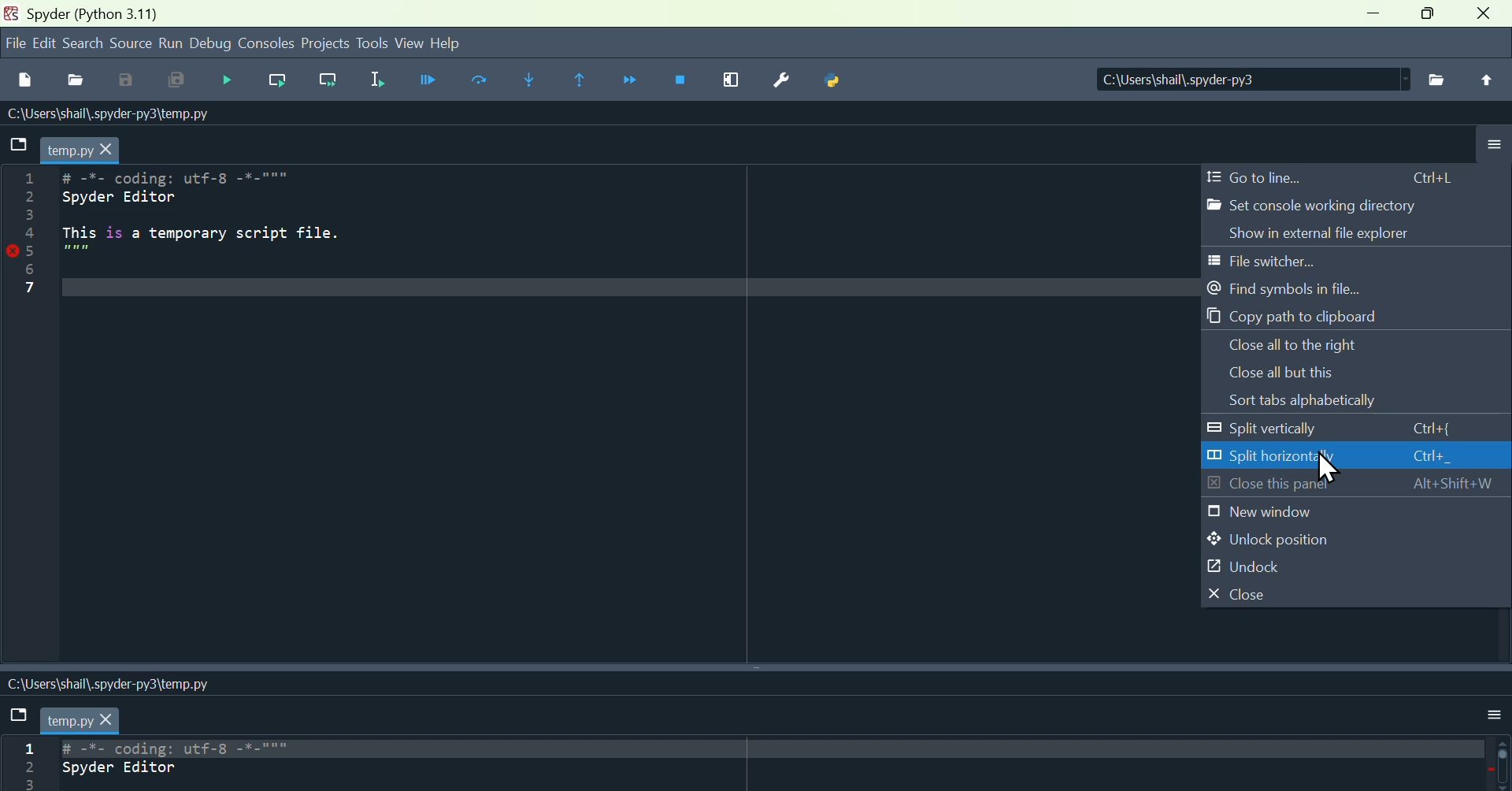  What do you see at coordinates (133, 82) in the screenshot?
I see `Save as` at bounding box center [133, 82].